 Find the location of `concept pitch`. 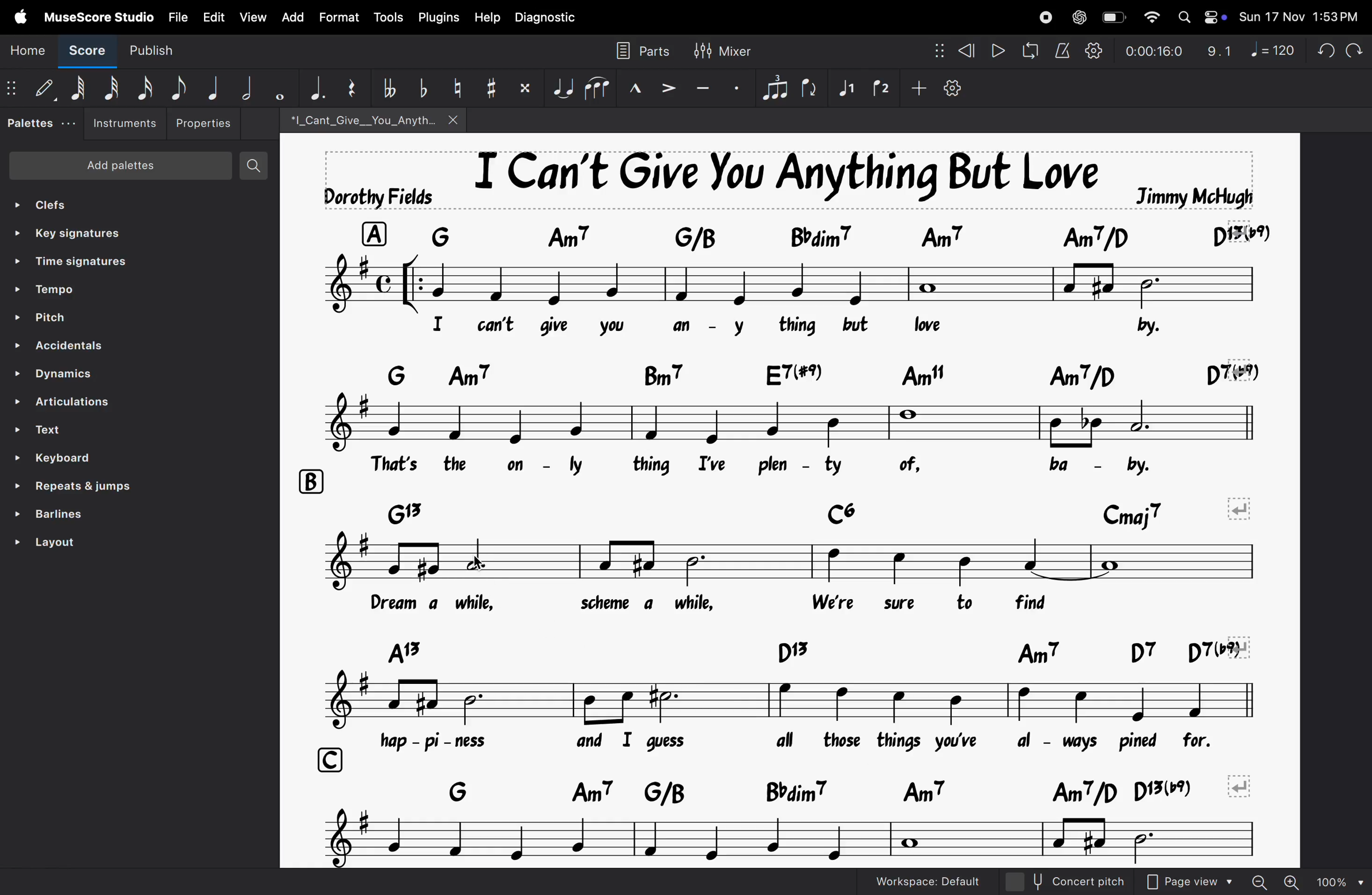

concept pitch is located at coordinates (1085, 881).